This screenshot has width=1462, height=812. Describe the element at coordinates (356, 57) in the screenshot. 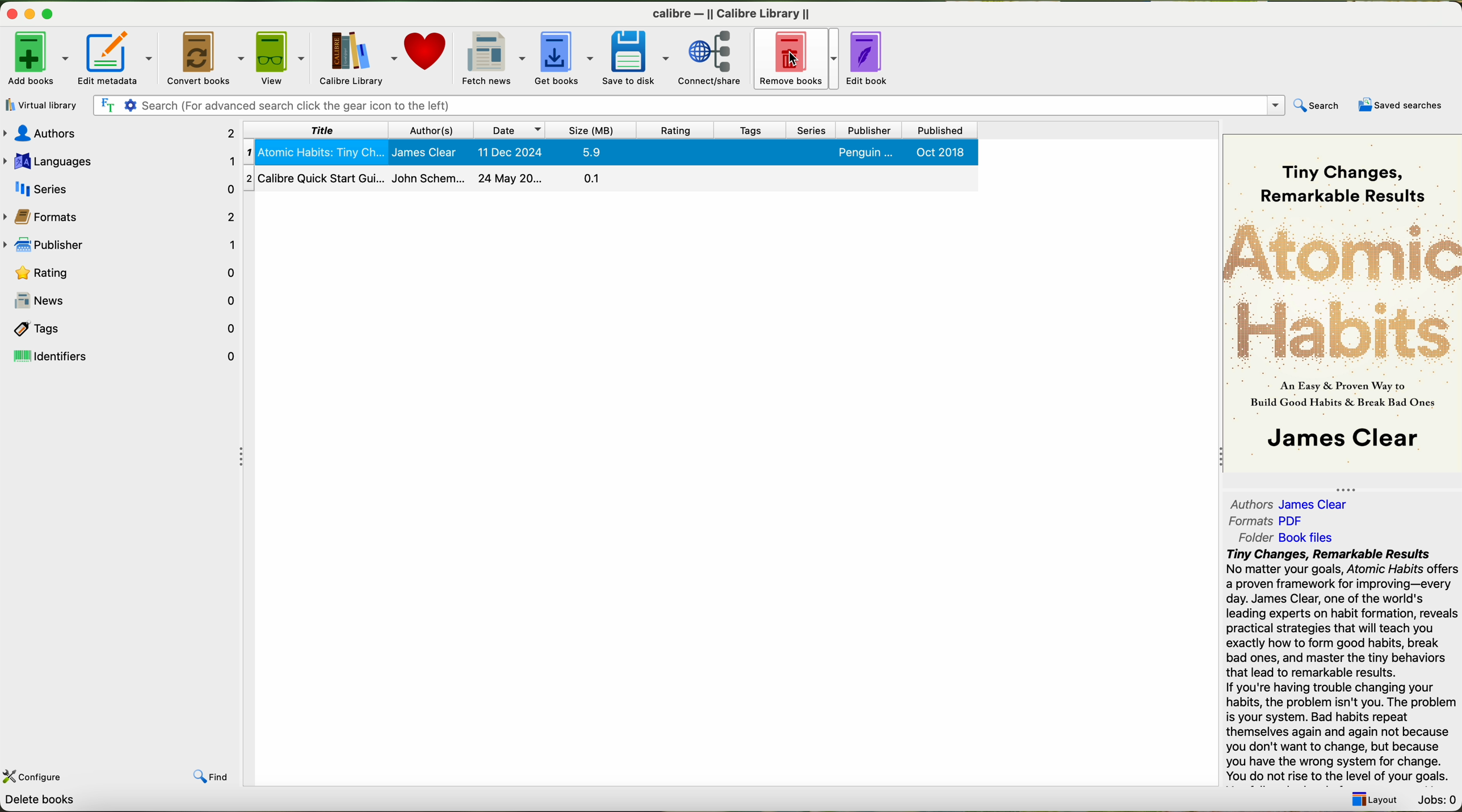

I see `calibre library` at that location.